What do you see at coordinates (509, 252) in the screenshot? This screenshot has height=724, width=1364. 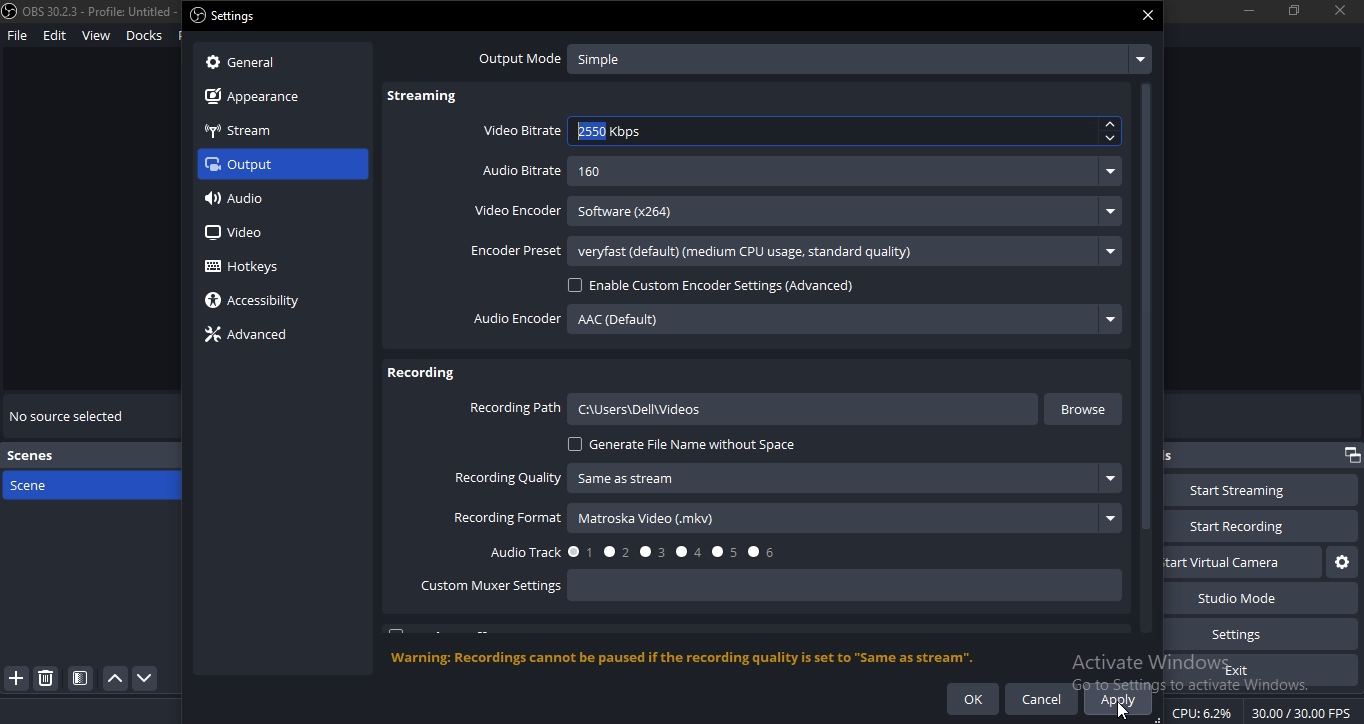 I see `encoder preset` at bounding box center [509, 252].